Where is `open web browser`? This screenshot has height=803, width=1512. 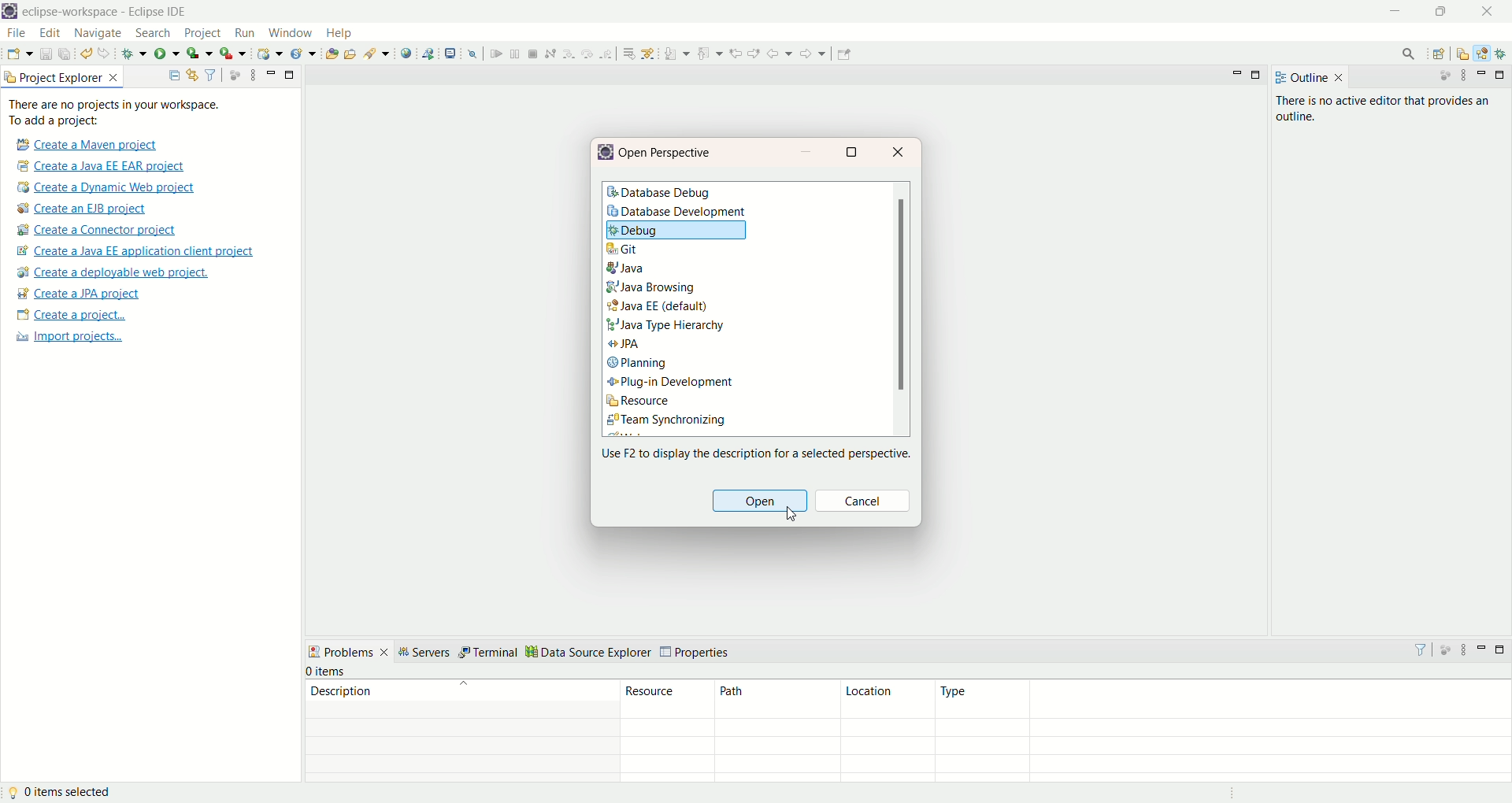
open web browser is located at coordinates (407, 54).